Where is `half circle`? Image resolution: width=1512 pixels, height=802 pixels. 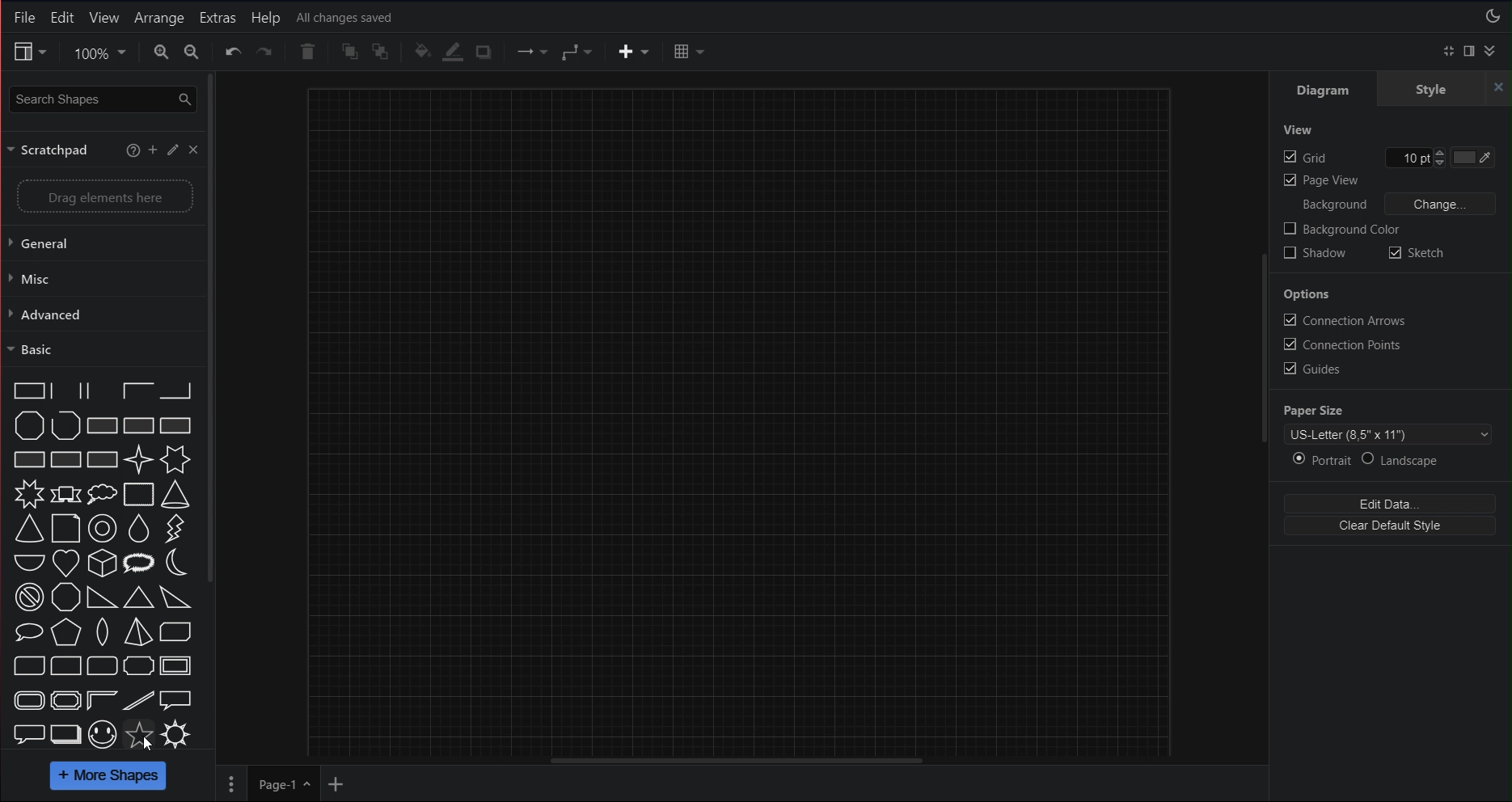 half circle is located at coordinates (30, 562).